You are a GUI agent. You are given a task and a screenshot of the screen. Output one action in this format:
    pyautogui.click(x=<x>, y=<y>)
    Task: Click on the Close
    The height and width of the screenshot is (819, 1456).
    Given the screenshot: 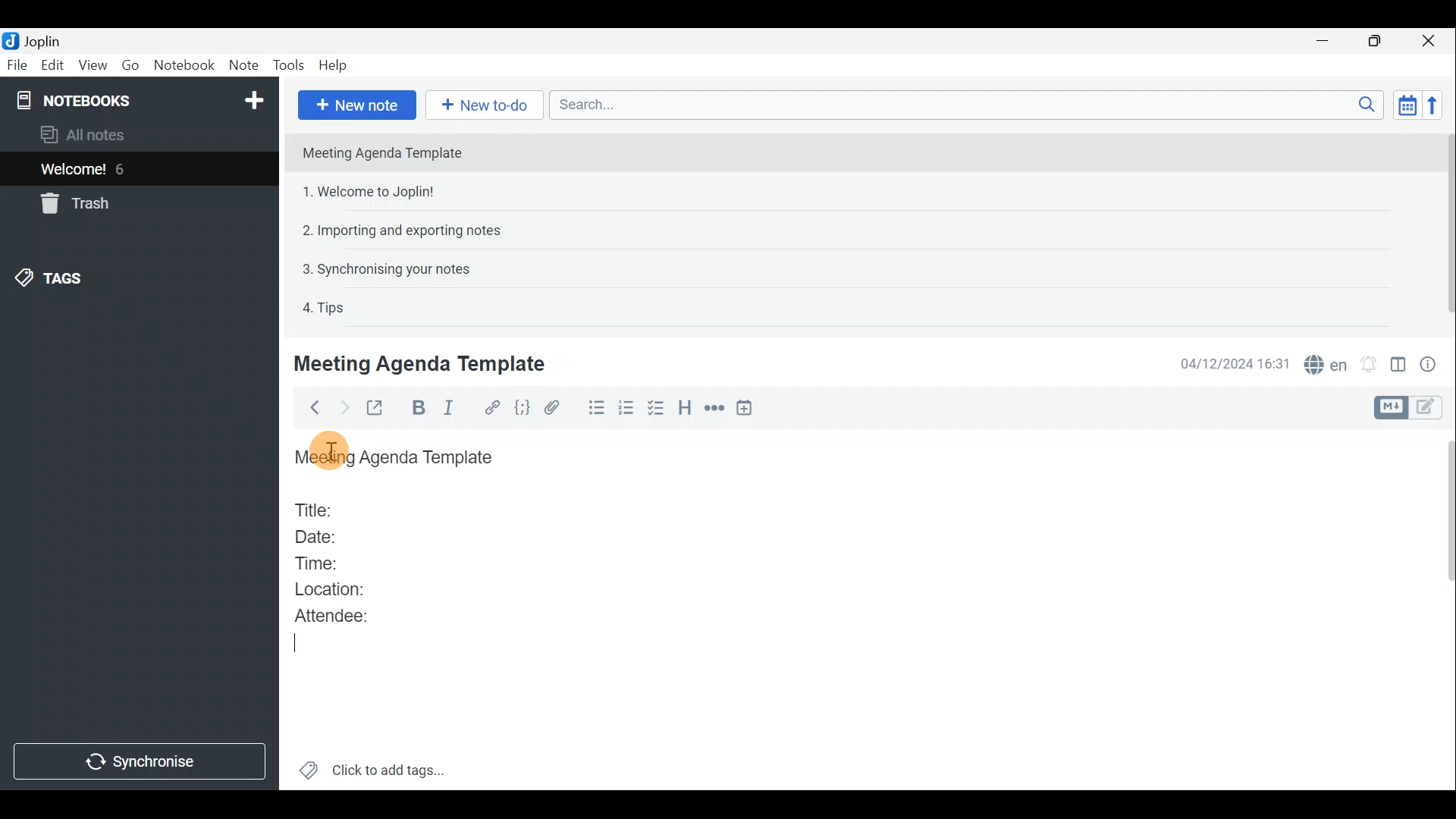 What is the action you would take?
    pyautogui.click(x=1429, y=42)
    